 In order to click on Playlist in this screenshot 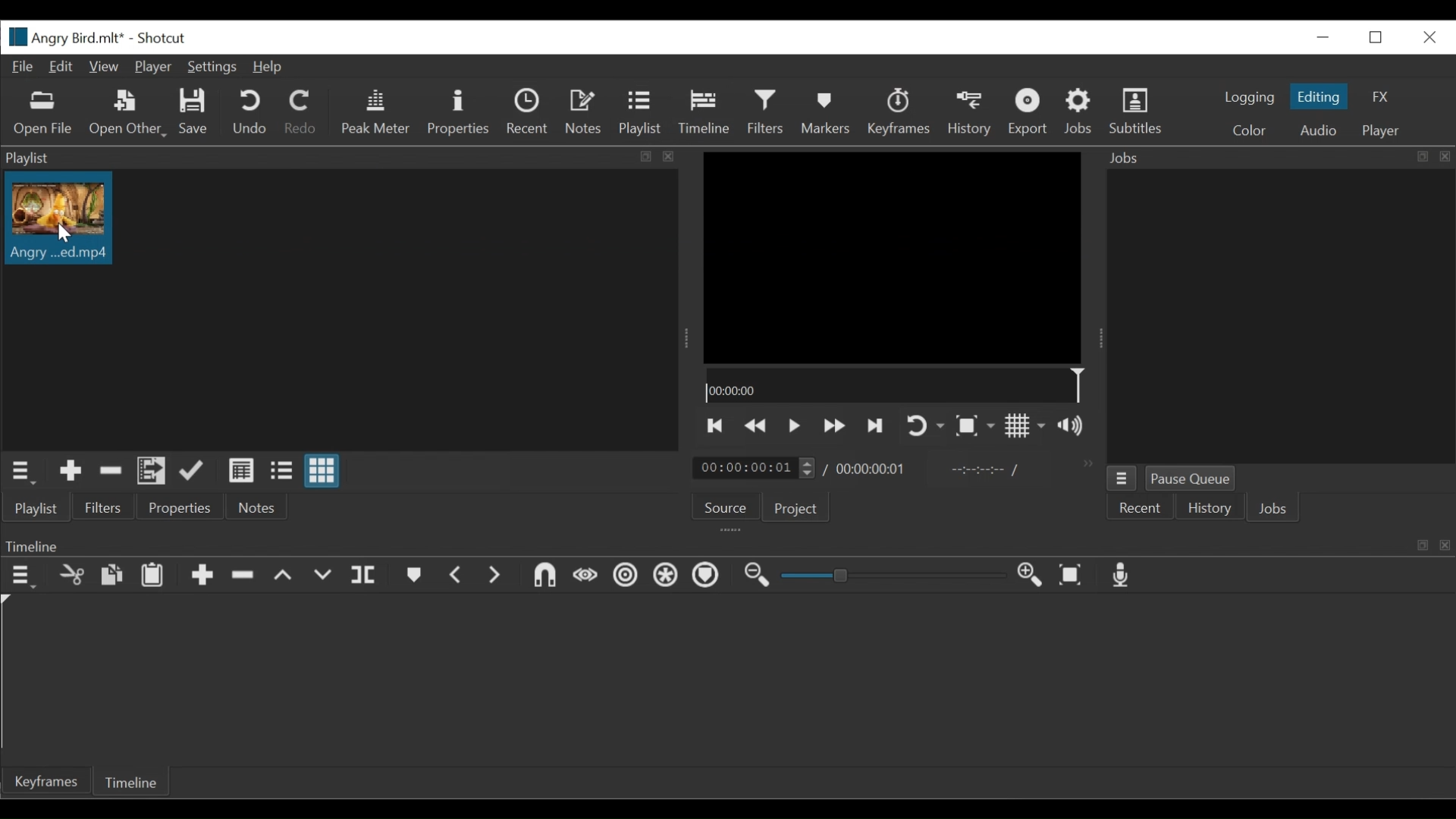, I will do `click(641, 113)`.